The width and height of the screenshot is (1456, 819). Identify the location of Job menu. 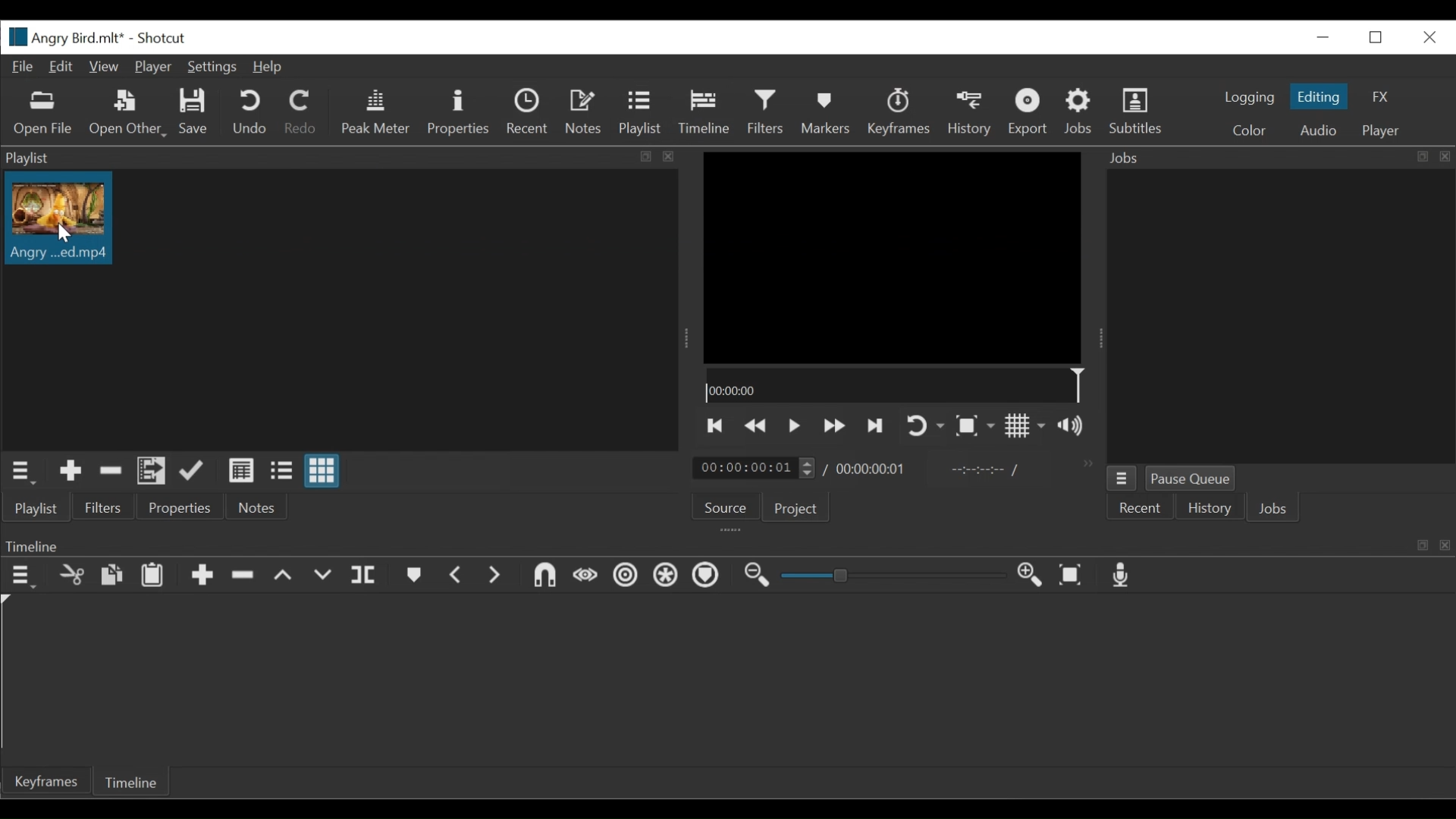
(1125, 479).